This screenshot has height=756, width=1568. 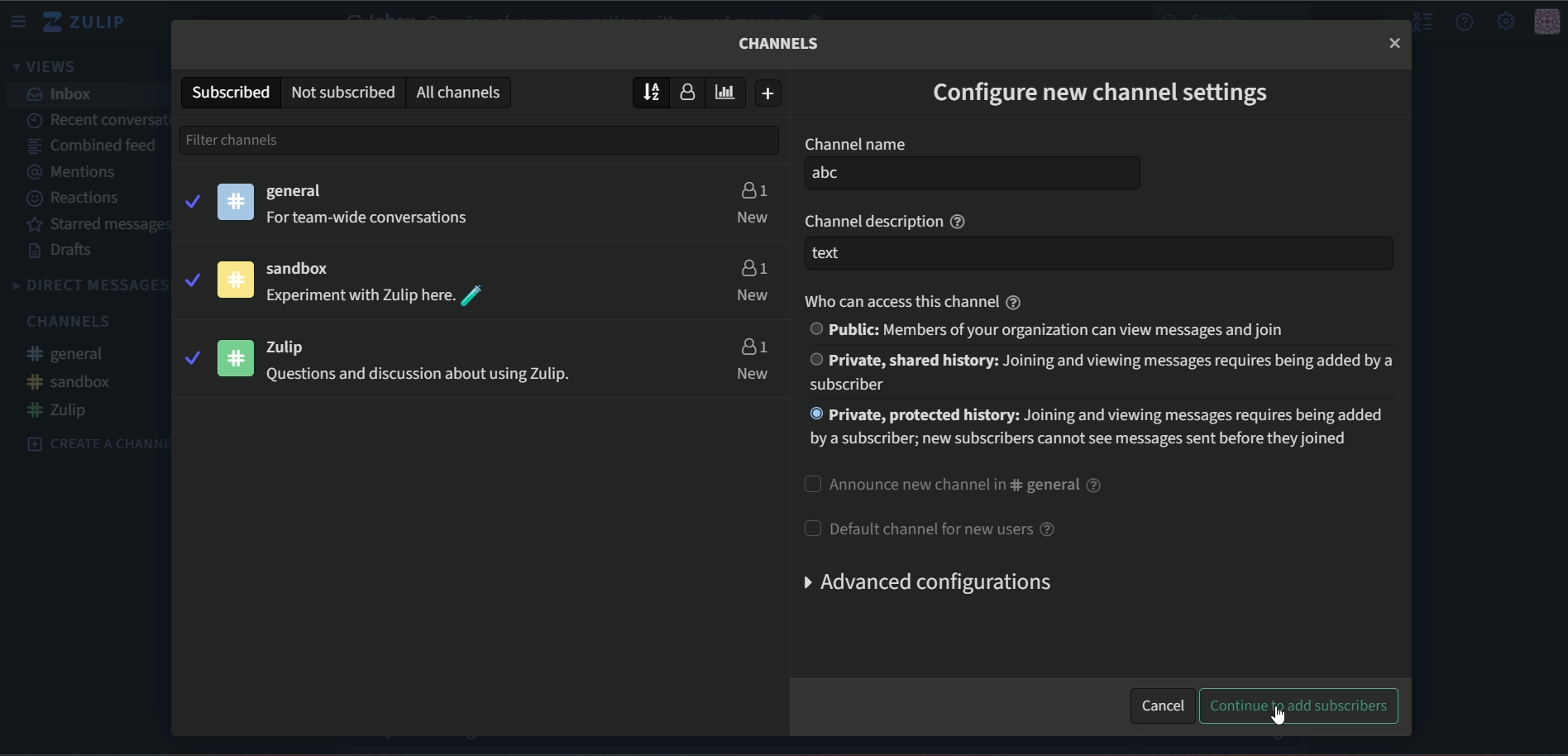 What do you see at coordinates (21, 22) in the screenshot?
I see `menu` at bounding box center [21, 22].